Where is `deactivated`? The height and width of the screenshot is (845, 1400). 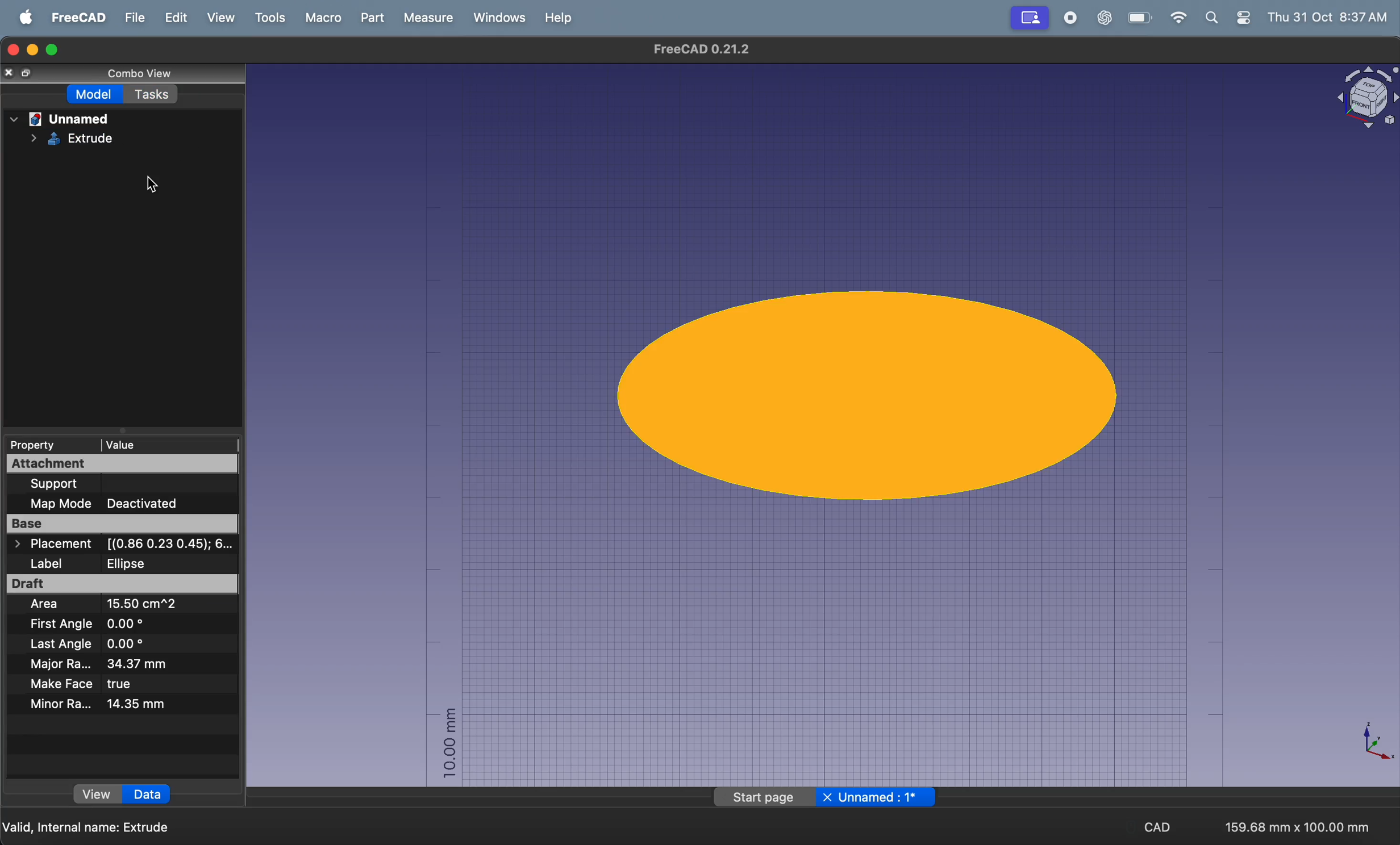
deactivated is located at coordinates (152, 504).